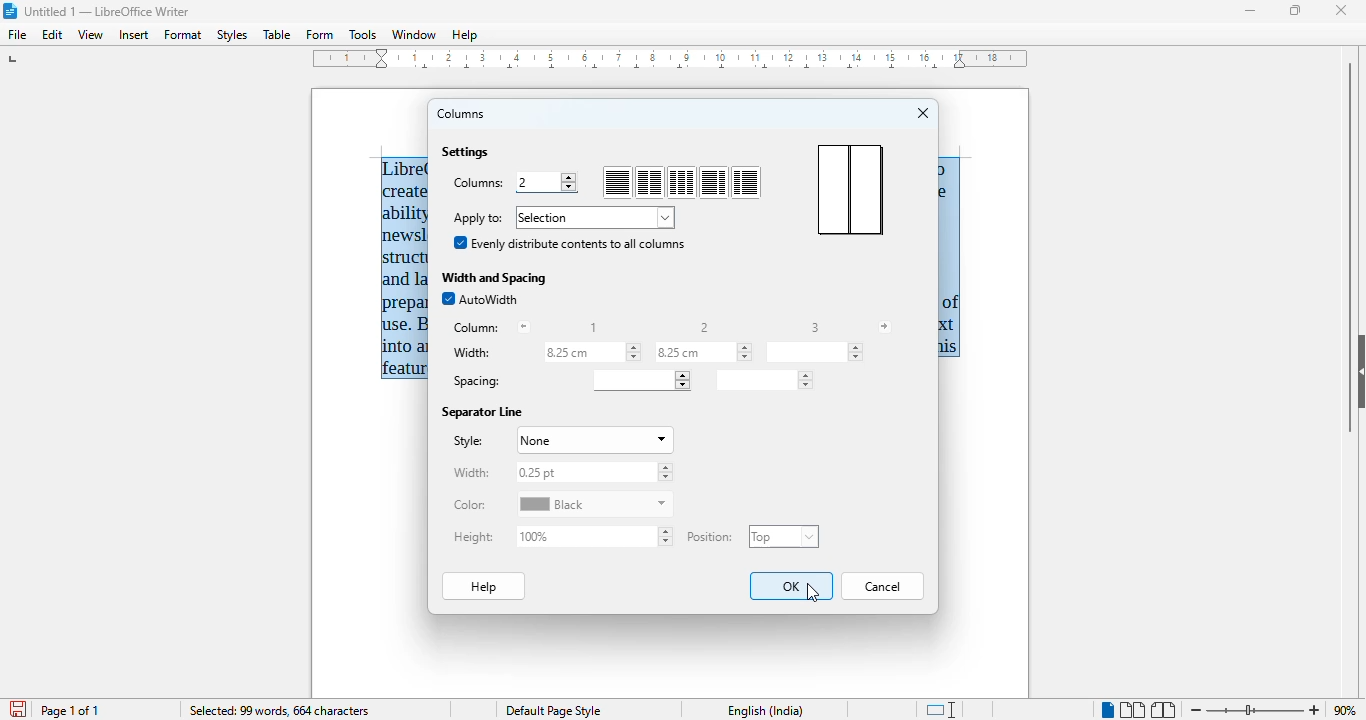 This screenshot has width=1366, height=720. I want to click on 100%, so click(597, 536).